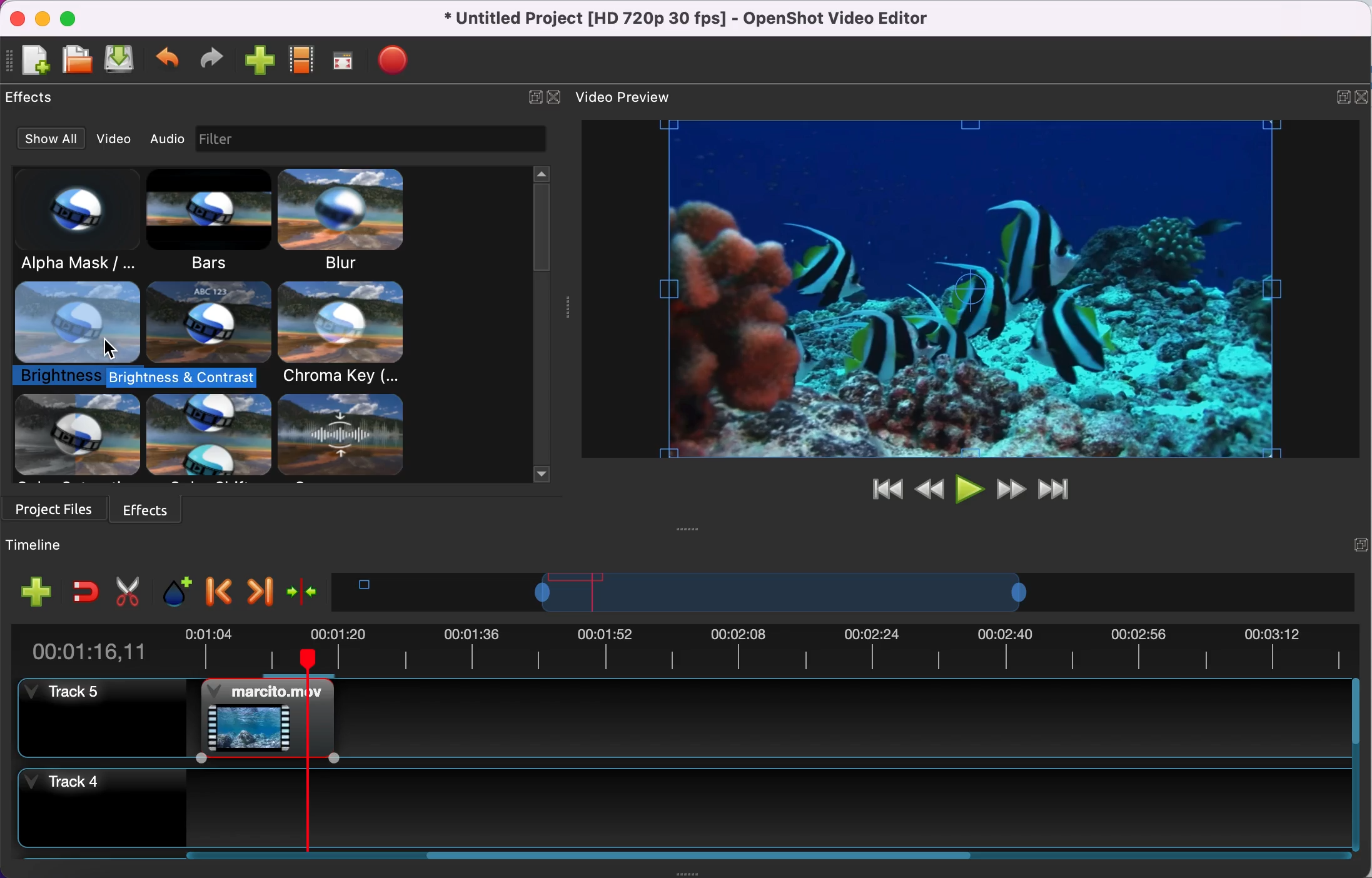  Describe the element at coordinates (393, 139) in the screenshot. I see `filter` at that location.